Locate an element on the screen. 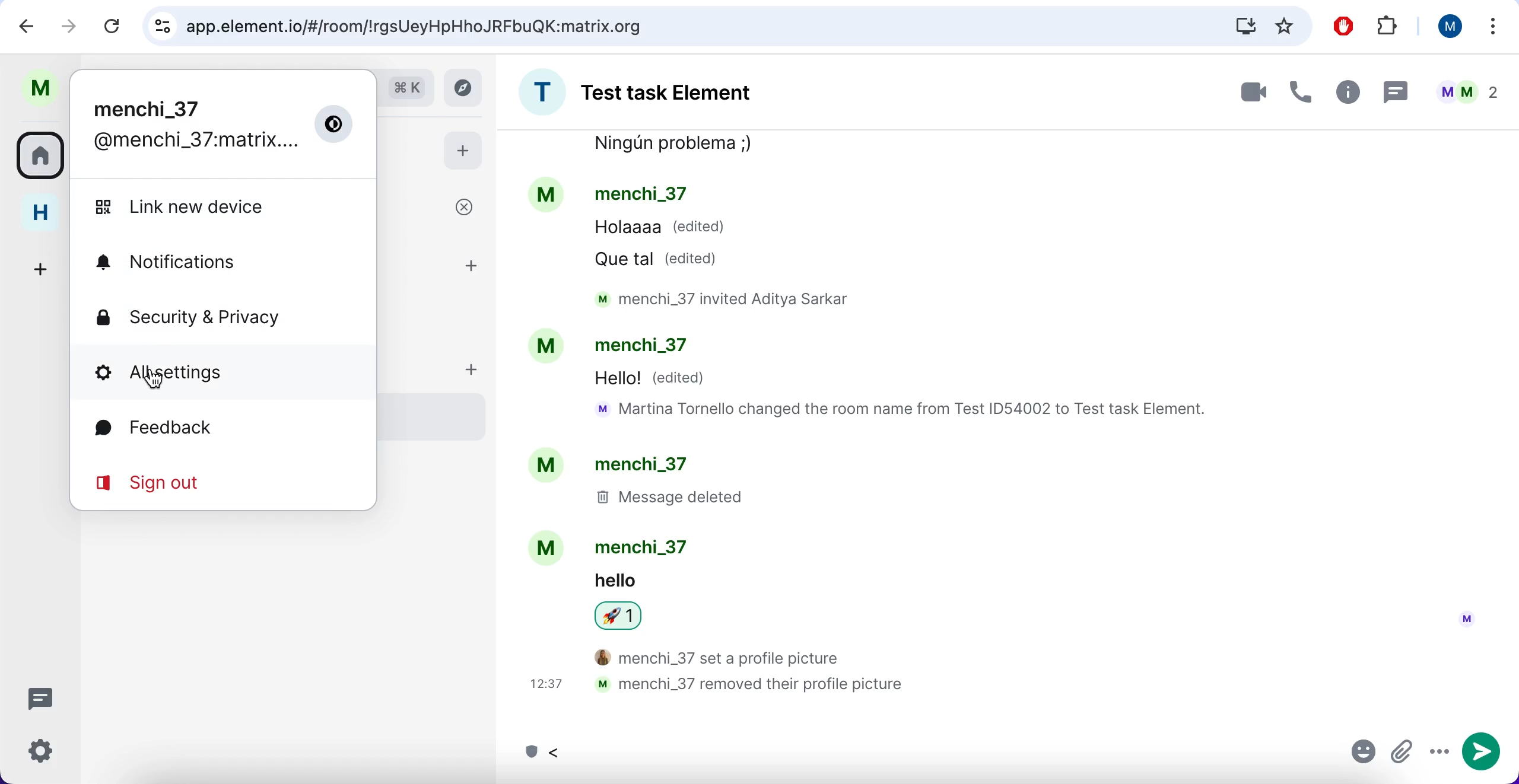  emoji is located at coordinates (1359, 754).